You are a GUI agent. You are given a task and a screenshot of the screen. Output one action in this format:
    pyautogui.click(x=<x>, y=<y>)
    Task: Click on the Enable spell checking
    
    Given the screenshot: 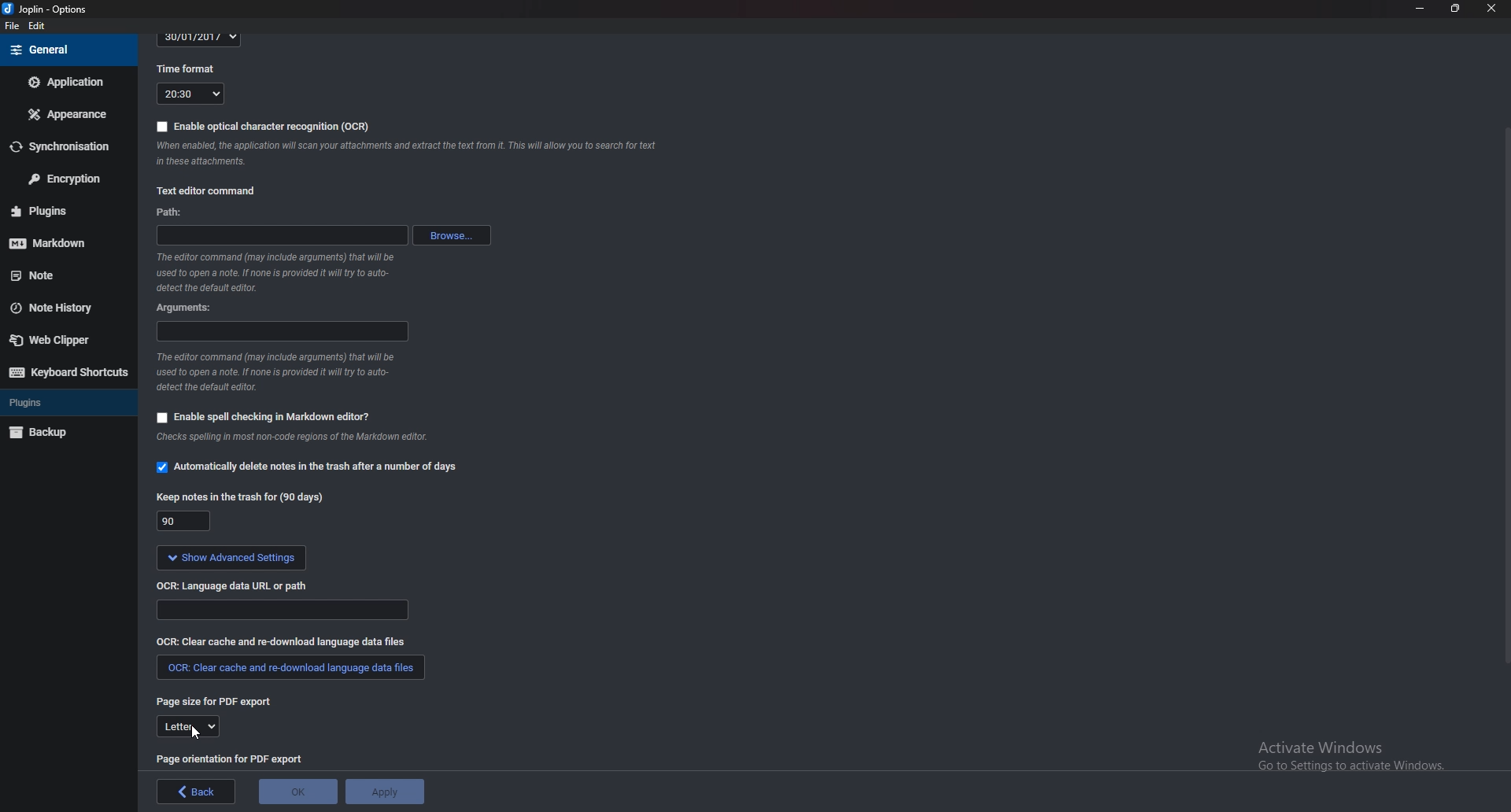 What is the action you would take?
    pyautogui.click(x=263, y=417)
    